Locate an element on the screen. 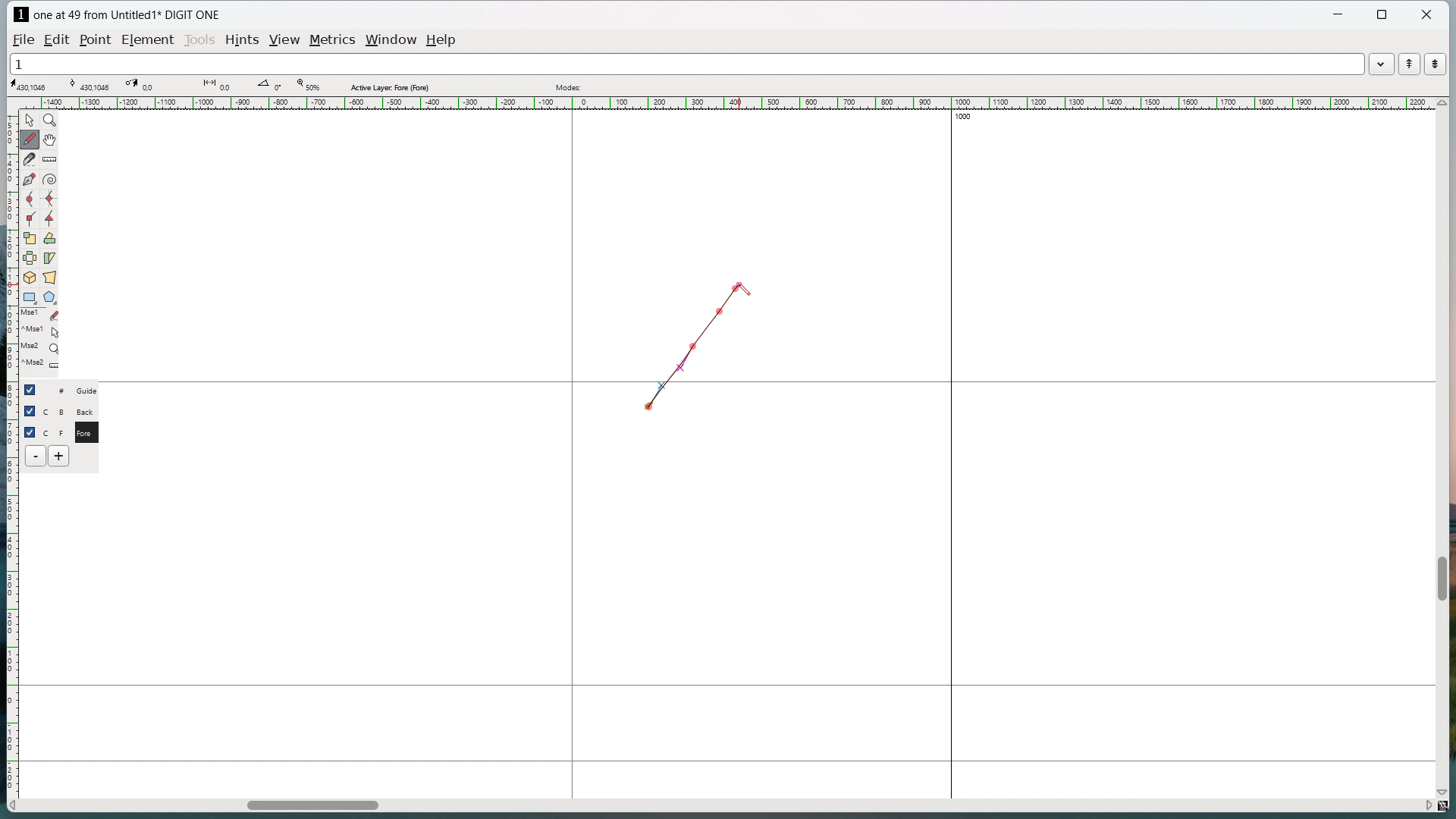 The width and height of the screenshot is (1456, 819). magnify is located at coordinates (50, 120).